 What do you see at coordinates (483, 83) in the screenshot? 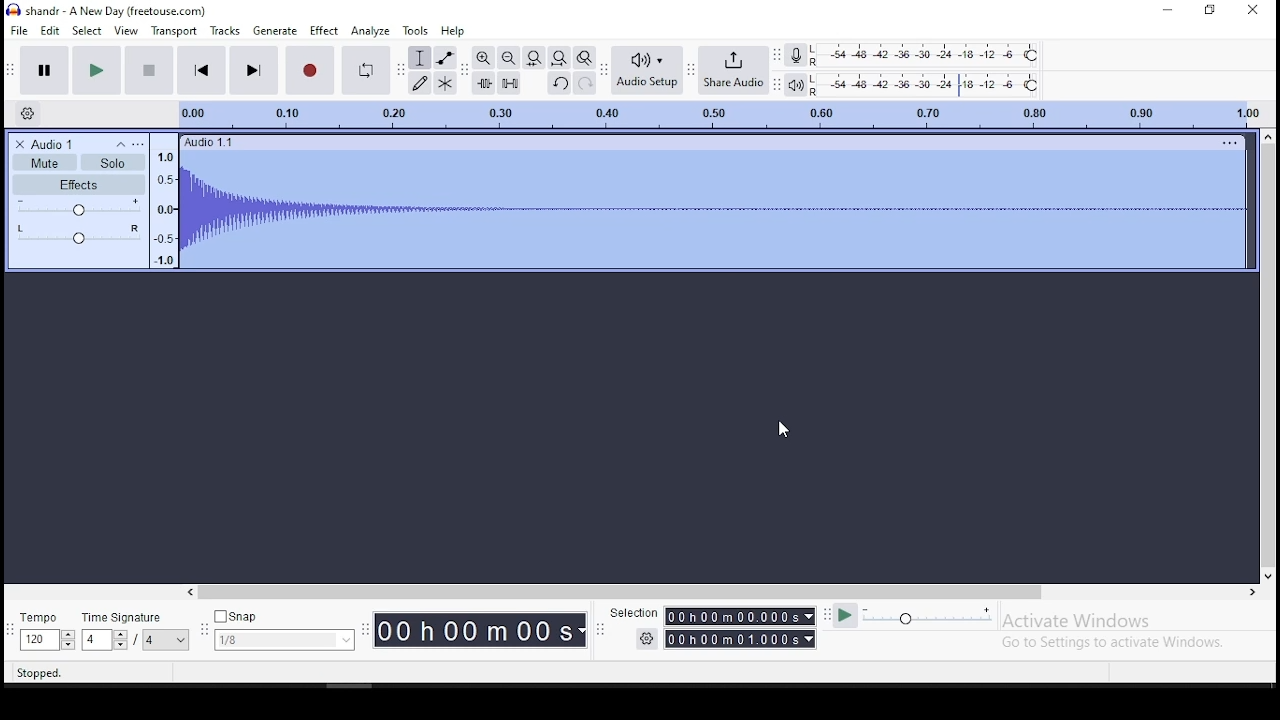
I see `trim audio outside selection` at bounding box center [483, 83].